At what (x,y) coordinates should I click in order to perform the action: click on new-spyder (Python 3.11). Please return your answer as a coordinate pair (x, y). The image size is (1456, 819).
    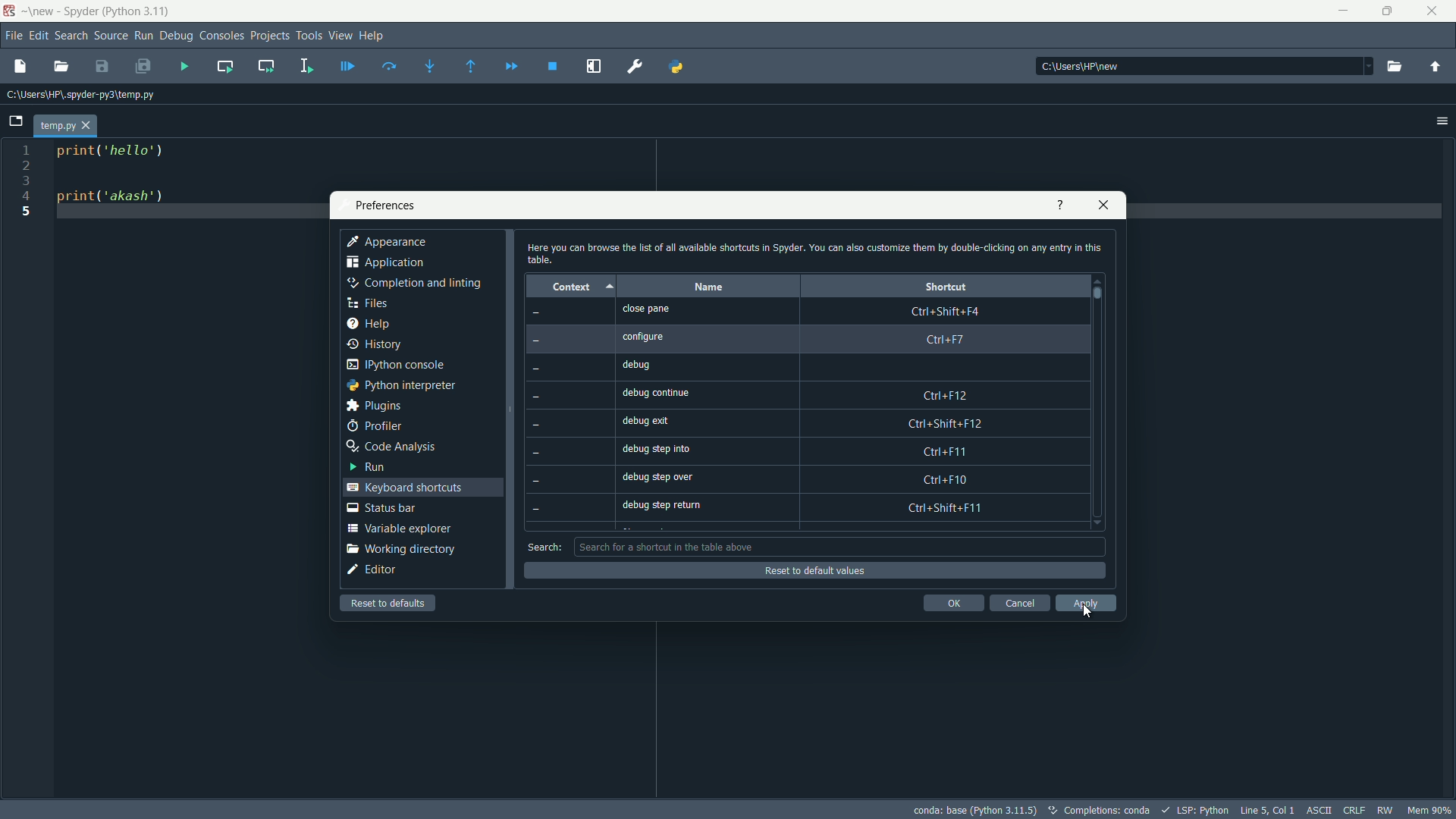
    Looking at the image, I should click on (96, 12).